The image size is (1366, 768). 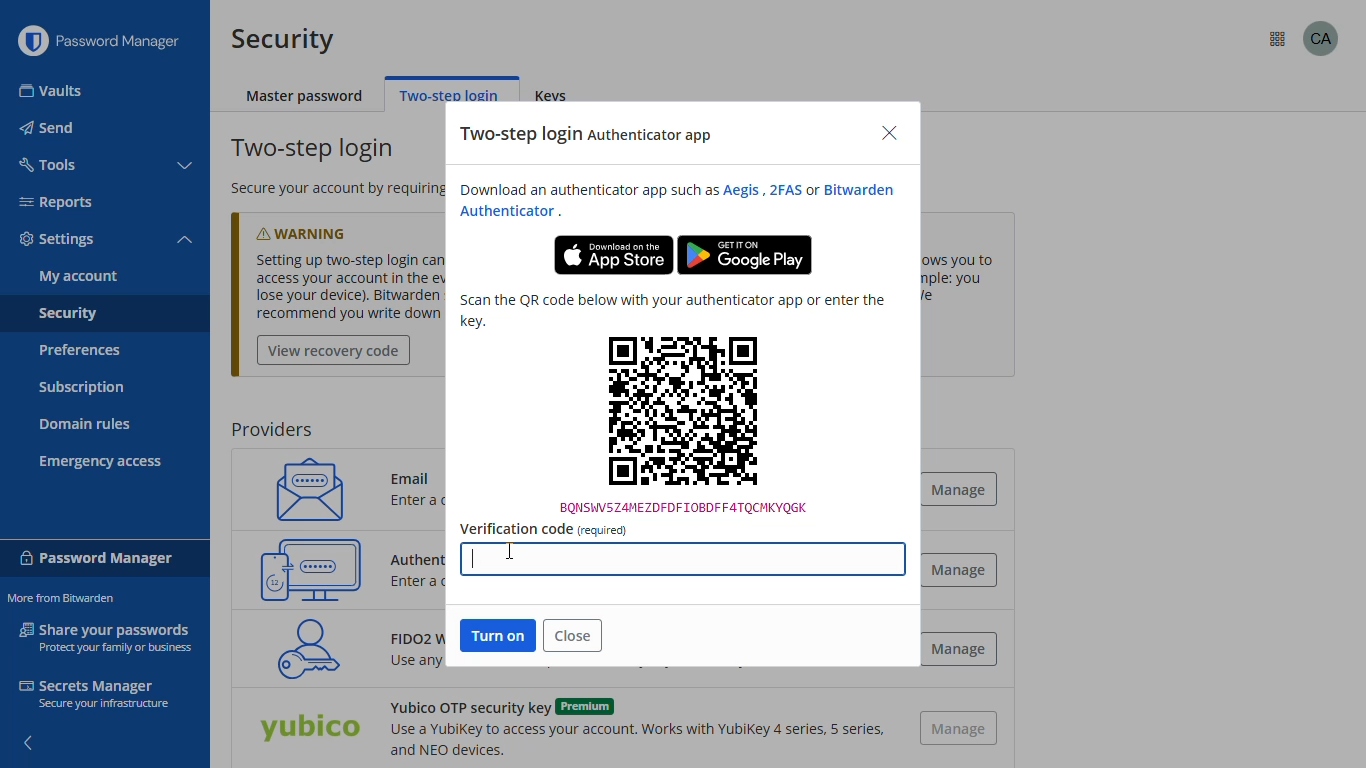 I want to click on Authenticator app, so click(x=420, y=557).